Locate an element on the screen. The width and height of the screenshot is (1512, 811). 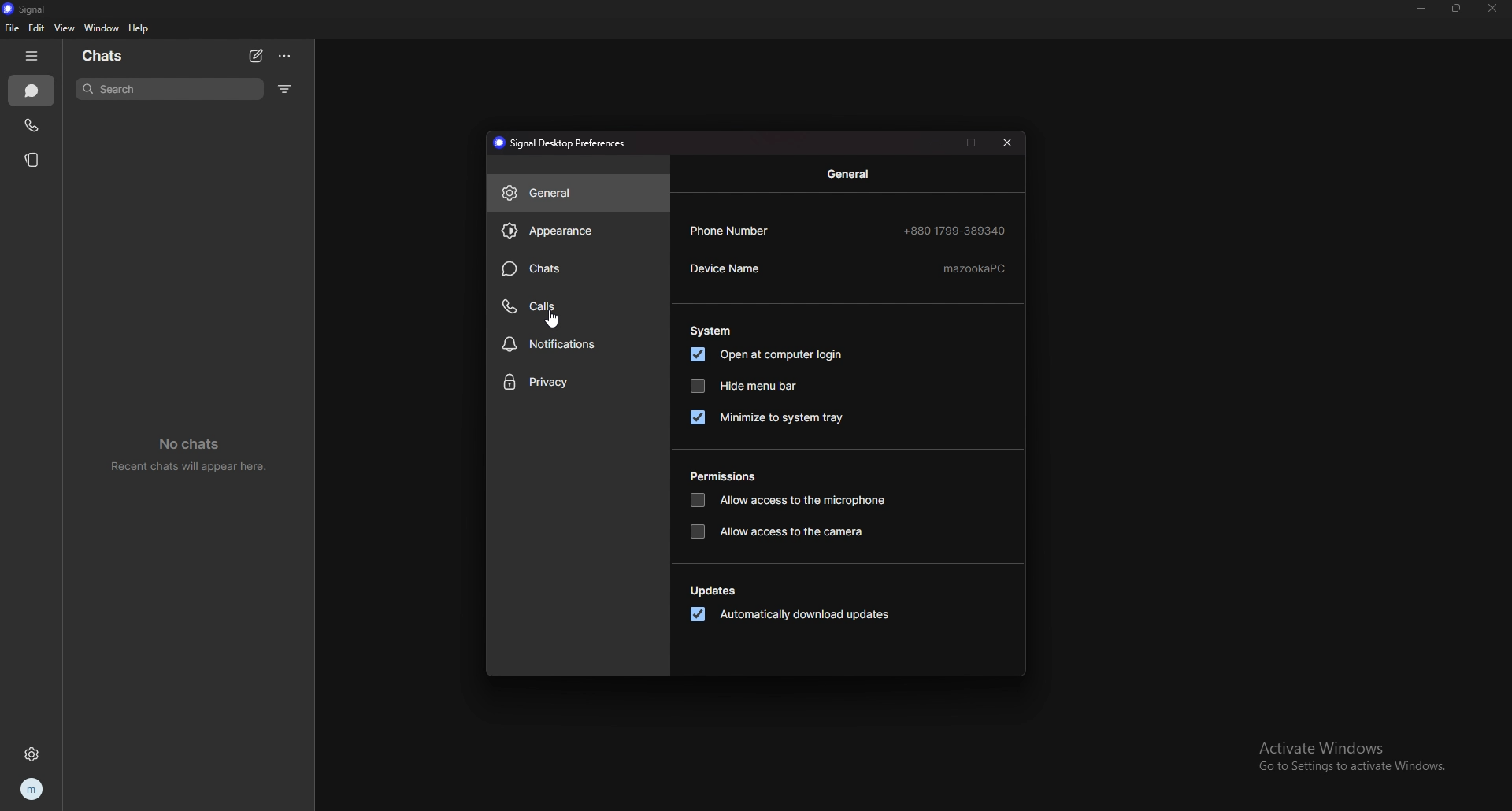
profile is located at coordinates (31, 791).